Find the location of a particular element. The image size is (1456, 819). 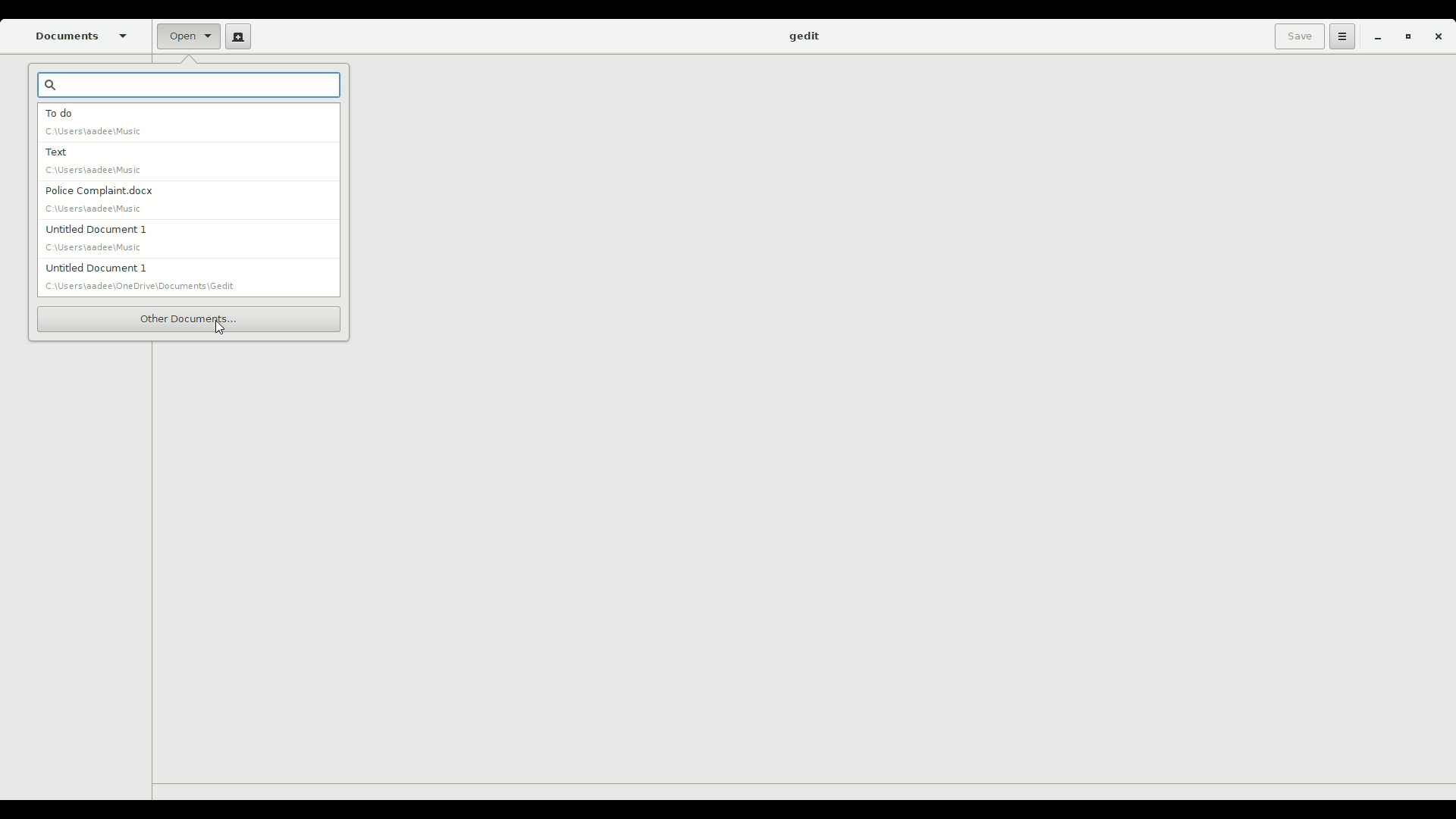

Untitled document 1 is located at coordinates (91, 237).